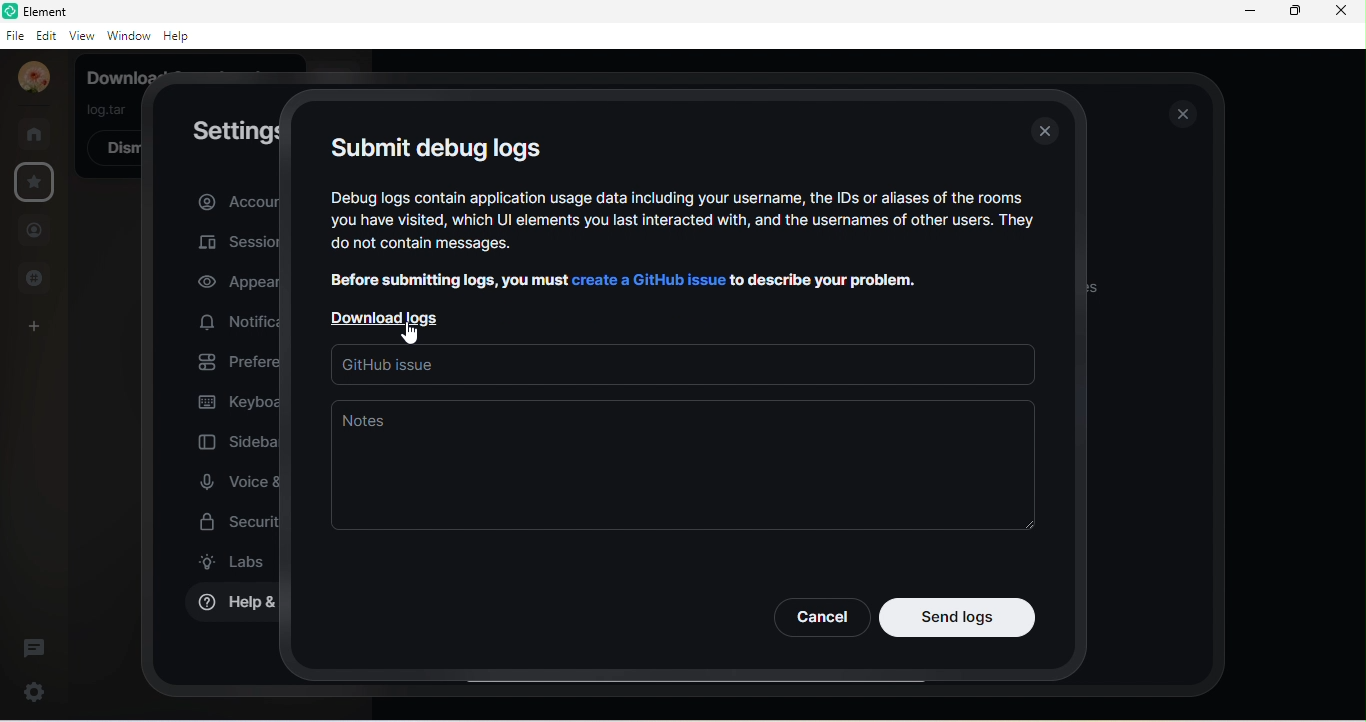 The height and width of the screenshot is (722, 1366). What do you see at coordinates (678, 196) in the screenshot?
I see `debug logs containt application usage data including your username, the IDs or aliases of` at bounding box center [678, 196].